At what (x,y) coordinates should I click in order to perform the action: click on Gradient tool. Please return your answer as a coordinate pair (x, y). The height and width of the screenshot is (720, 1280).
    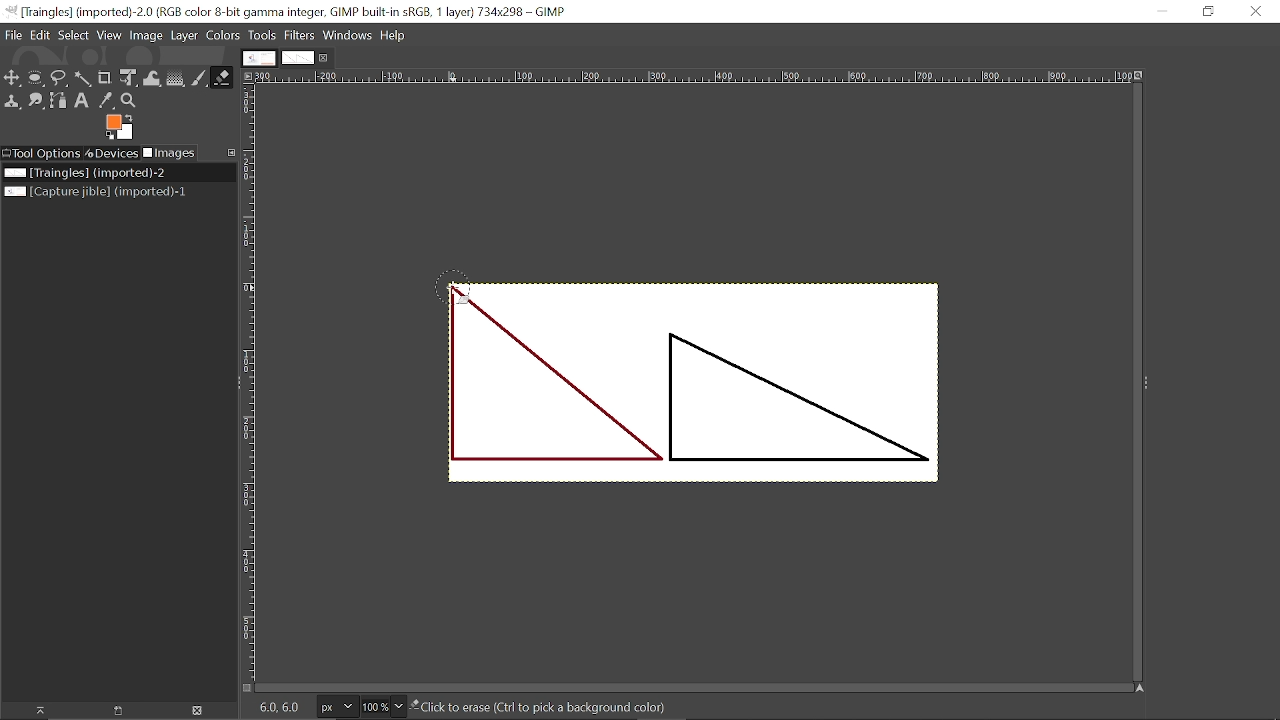
    Looking at the image, I should click on (176, 78).